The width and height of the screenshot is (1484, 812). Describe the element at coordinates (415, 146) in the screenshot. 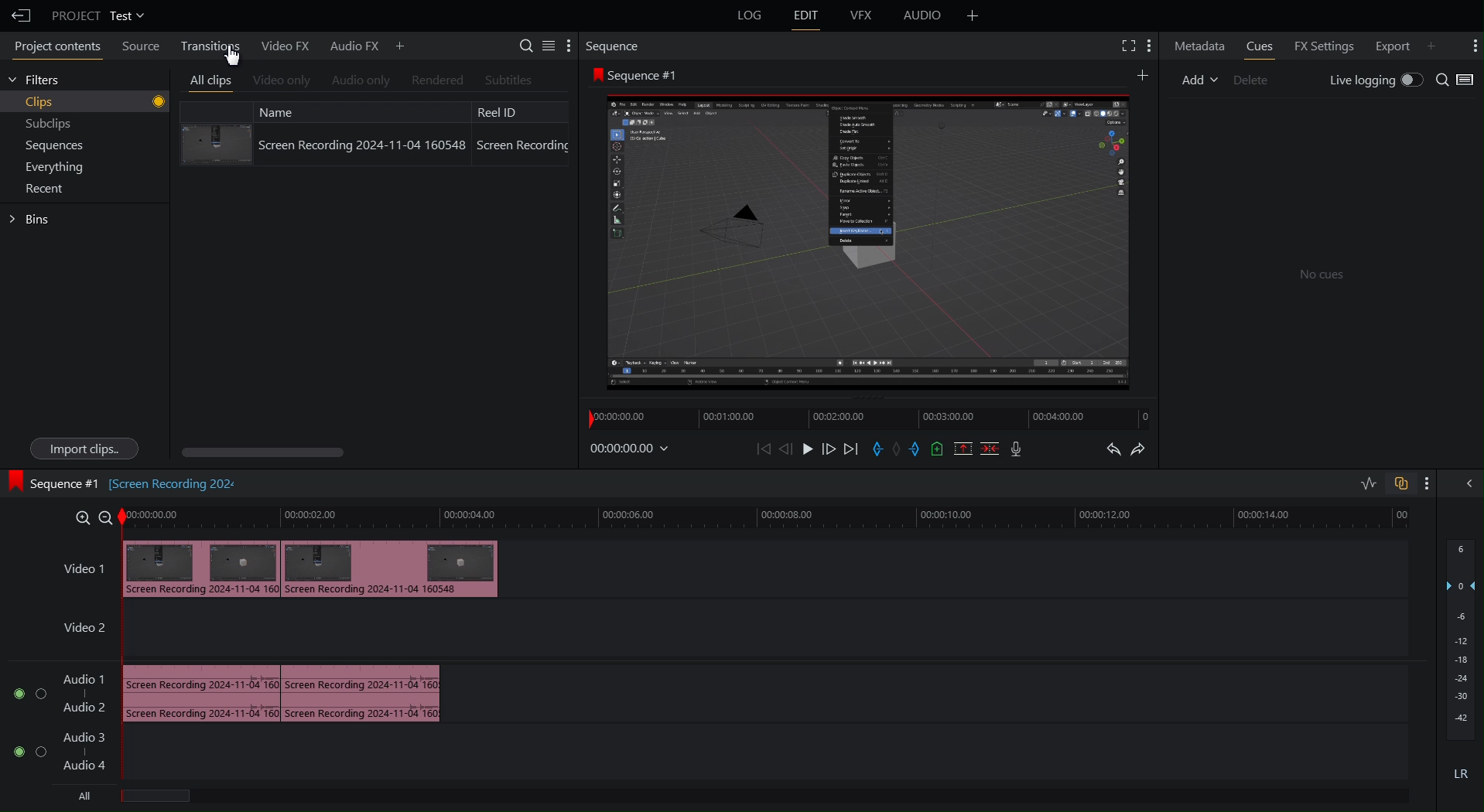

I see `Screen Recording 2024-11-04 160548 Screen Recording` at that location.